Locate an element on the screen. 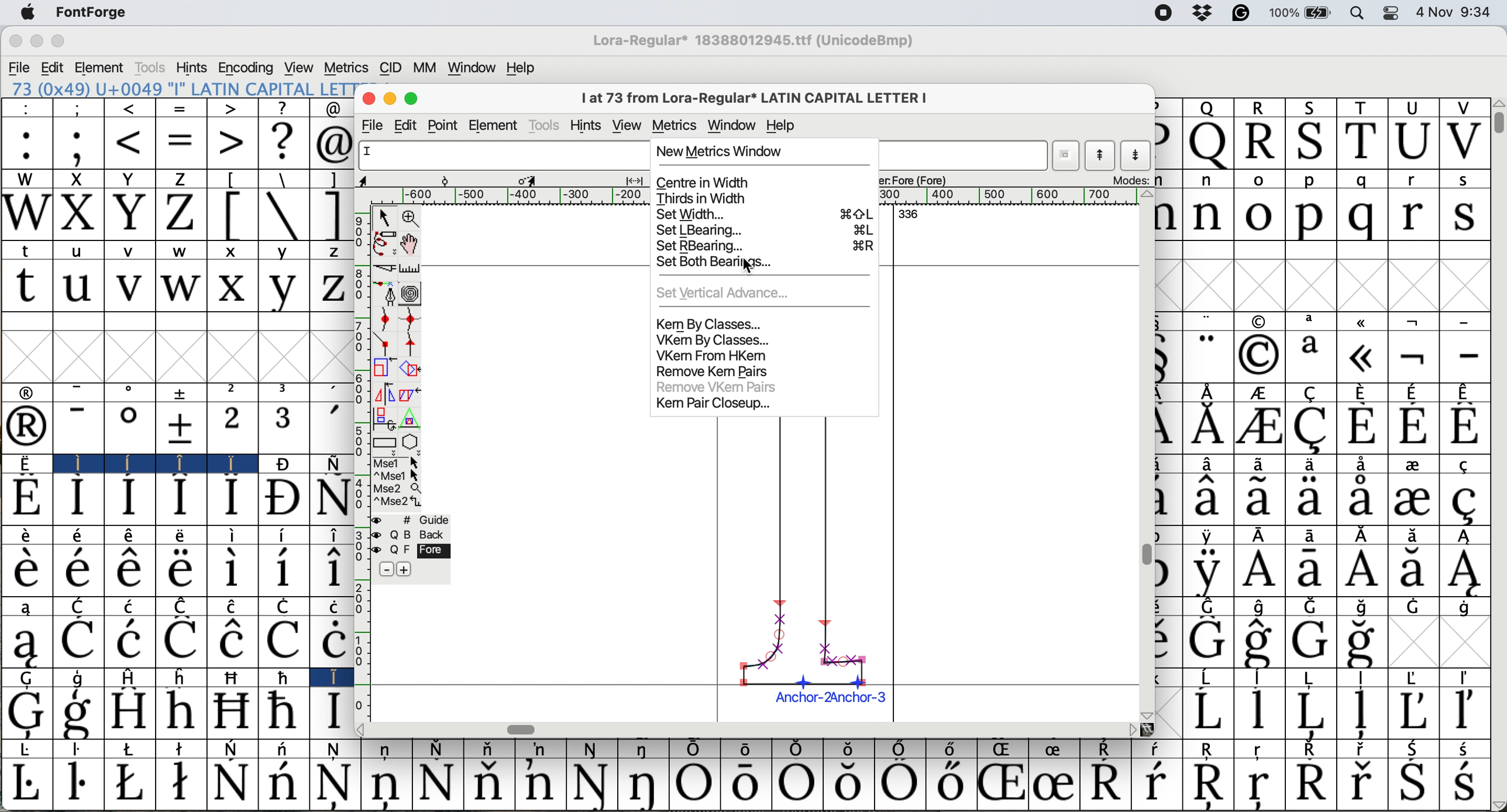 Image resolution: width=1507 pixels, height=812 pixels. W is located at coordinates (26, 180).